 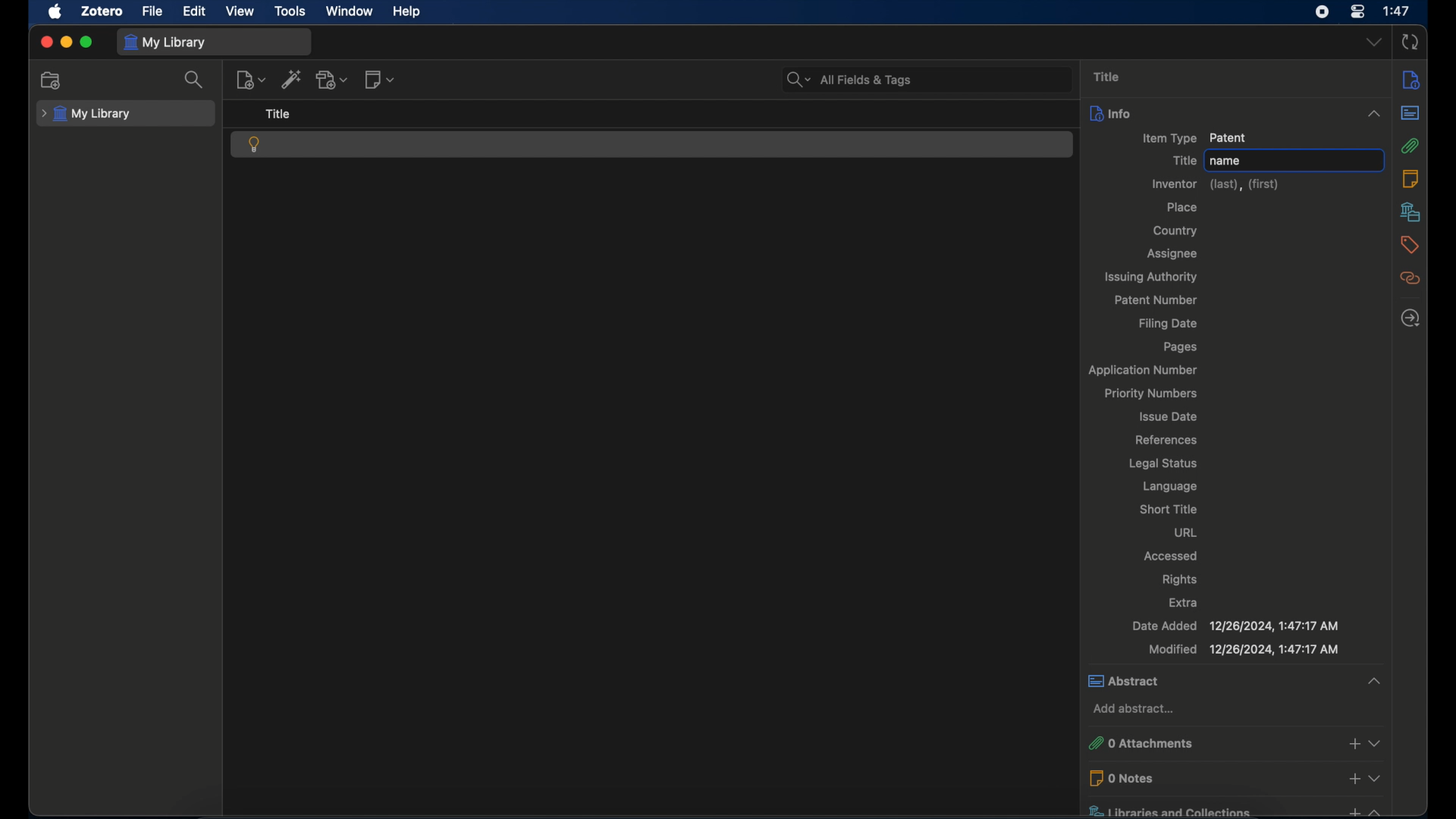 I want to click on Collapse or expand , so click(x=1377, y=777).